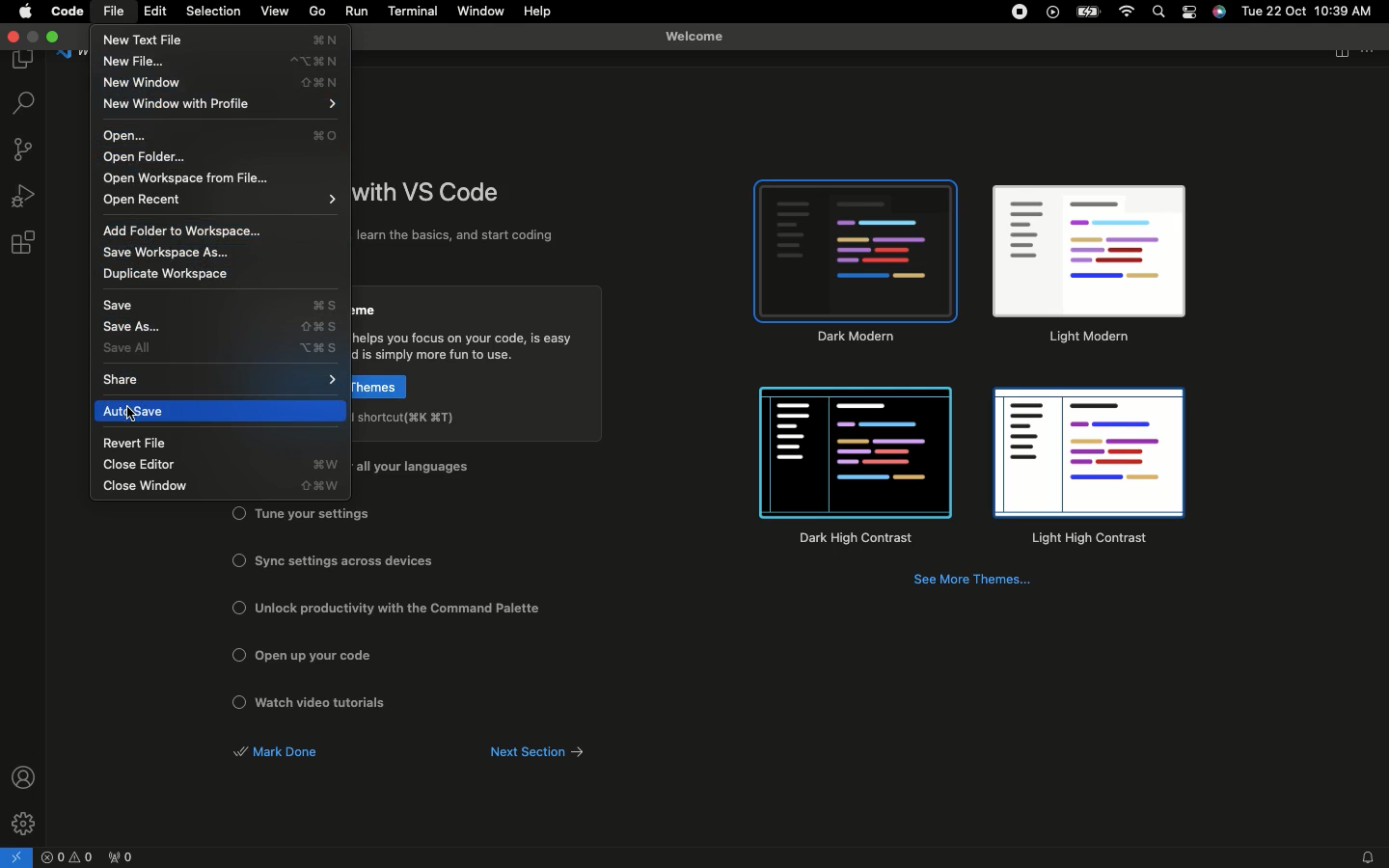 The height and width of the screenshot is (868, 1389). Describe the element at coordinates (218, 41) in the screenshot. I see `New text file` at that location.